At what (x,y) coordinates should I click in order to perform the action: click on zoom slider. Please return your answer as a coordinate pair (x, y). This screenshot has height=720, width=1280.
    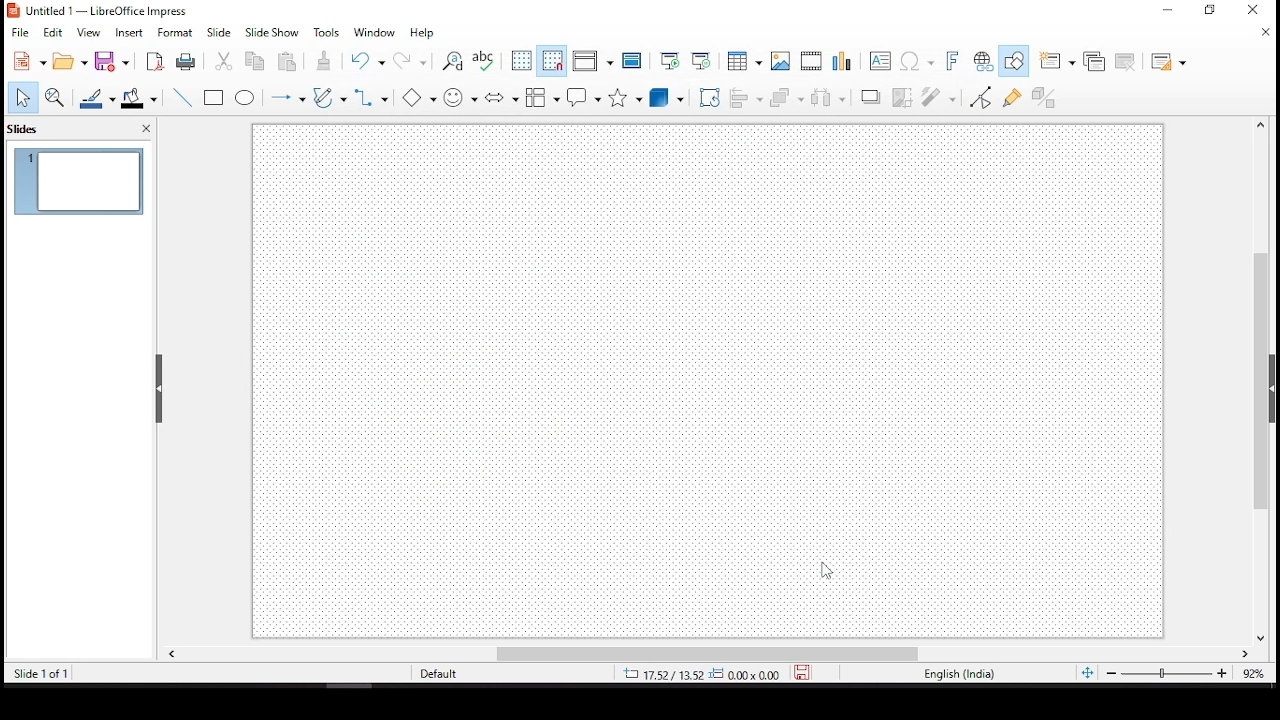
    Looking at the image, I should click on (1167, 673).